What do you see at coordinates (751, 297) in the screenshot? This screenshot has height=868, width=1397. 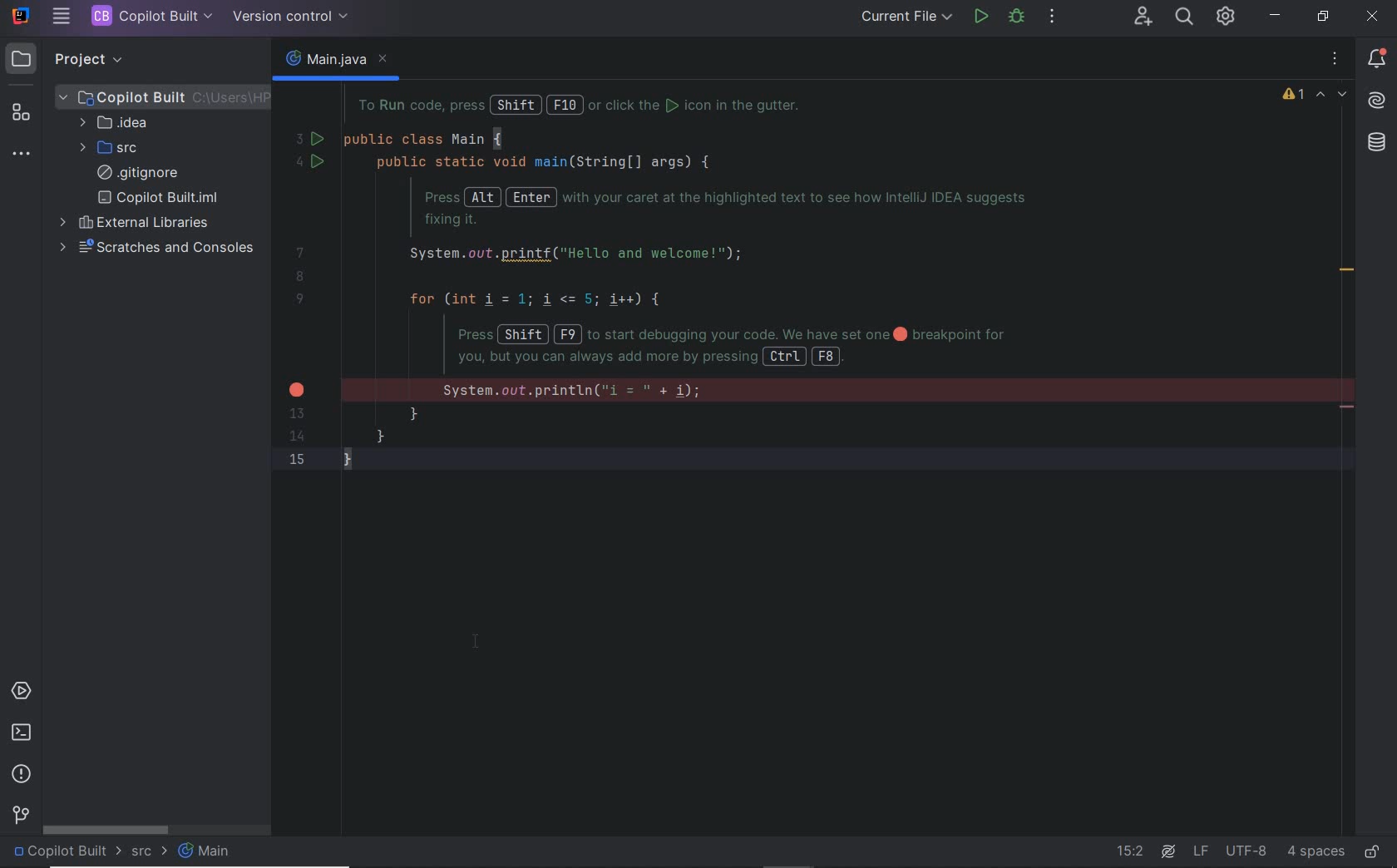 I see `codes` at bounding box center [751, 297].